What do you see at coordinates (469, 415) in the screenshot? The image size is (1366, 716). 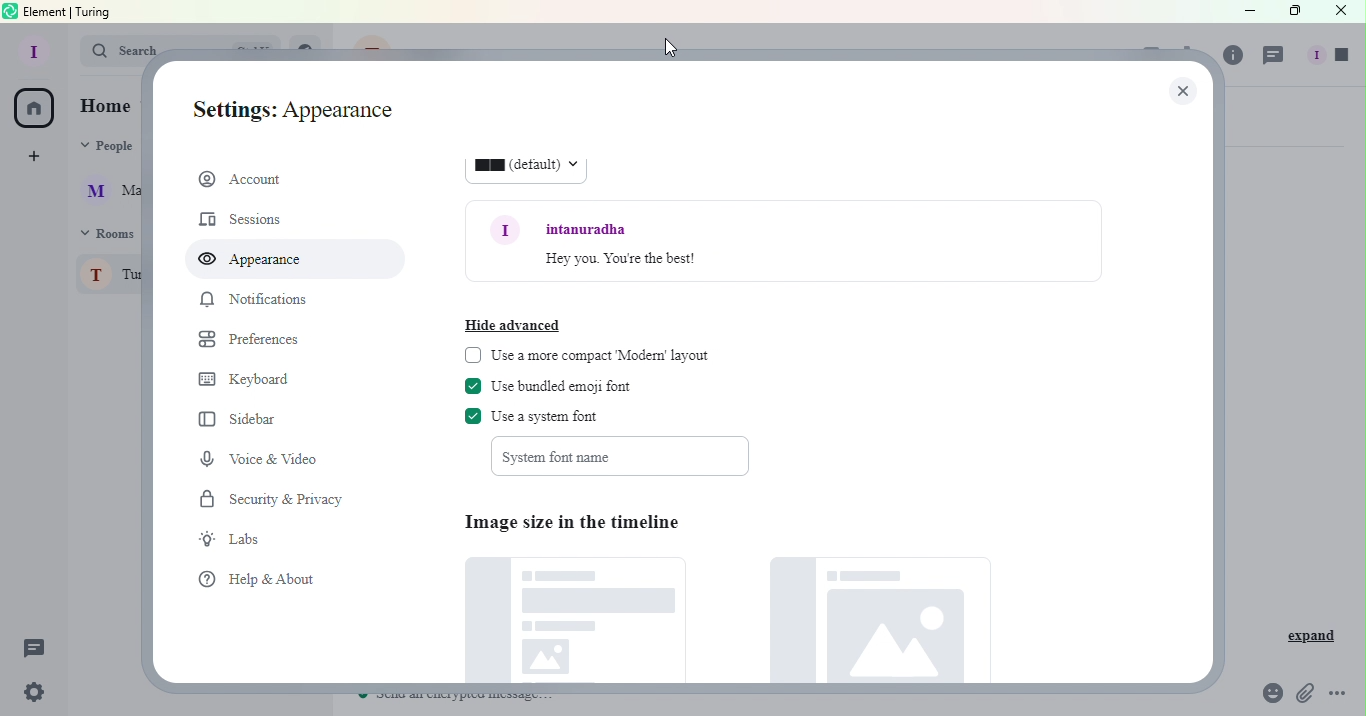 I see `check box` at bounding box center [469, 415].